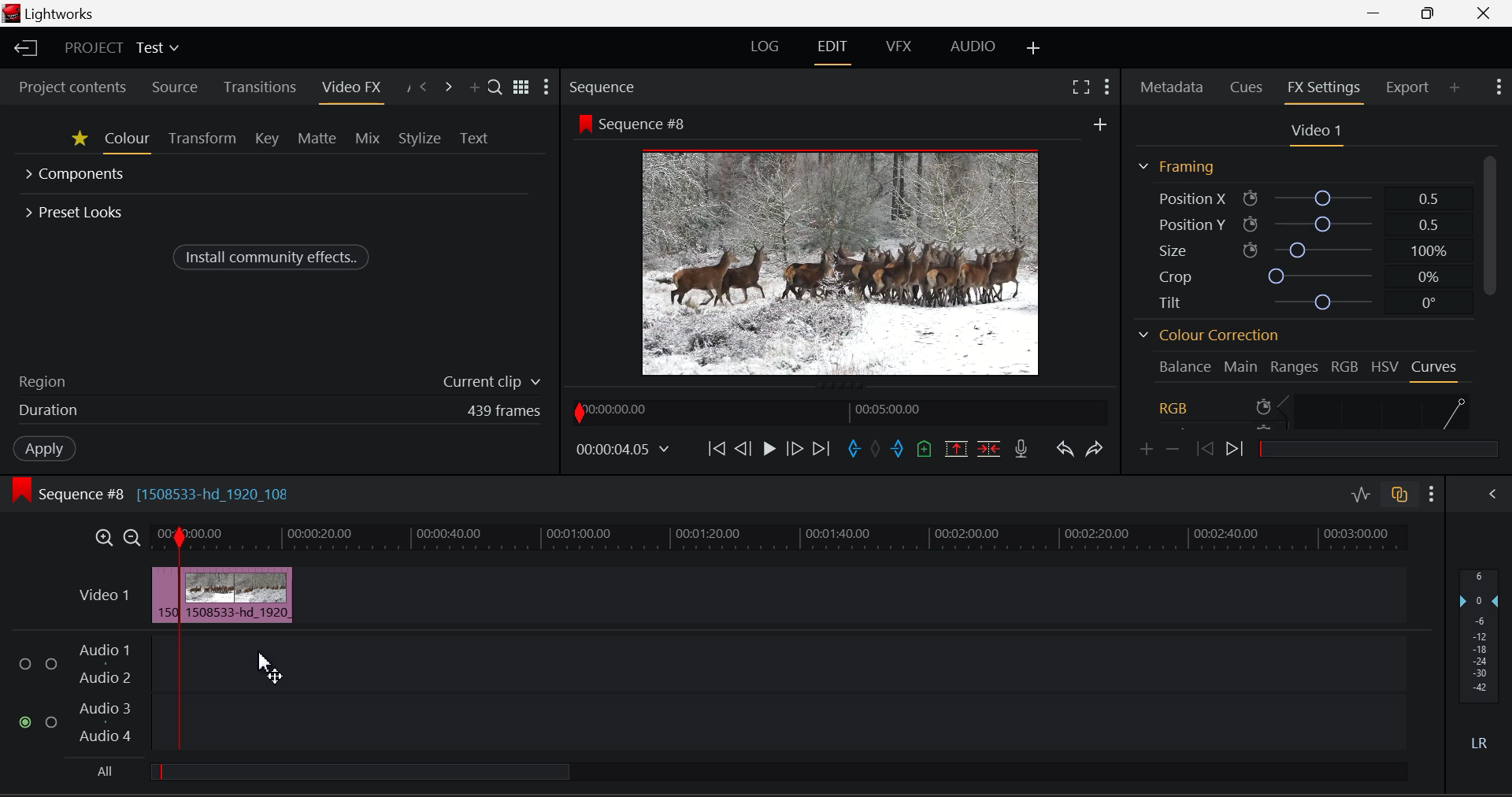  Describe the element at coordinates (1429, 13) in the screenshot. I see `Minimize` at that location.